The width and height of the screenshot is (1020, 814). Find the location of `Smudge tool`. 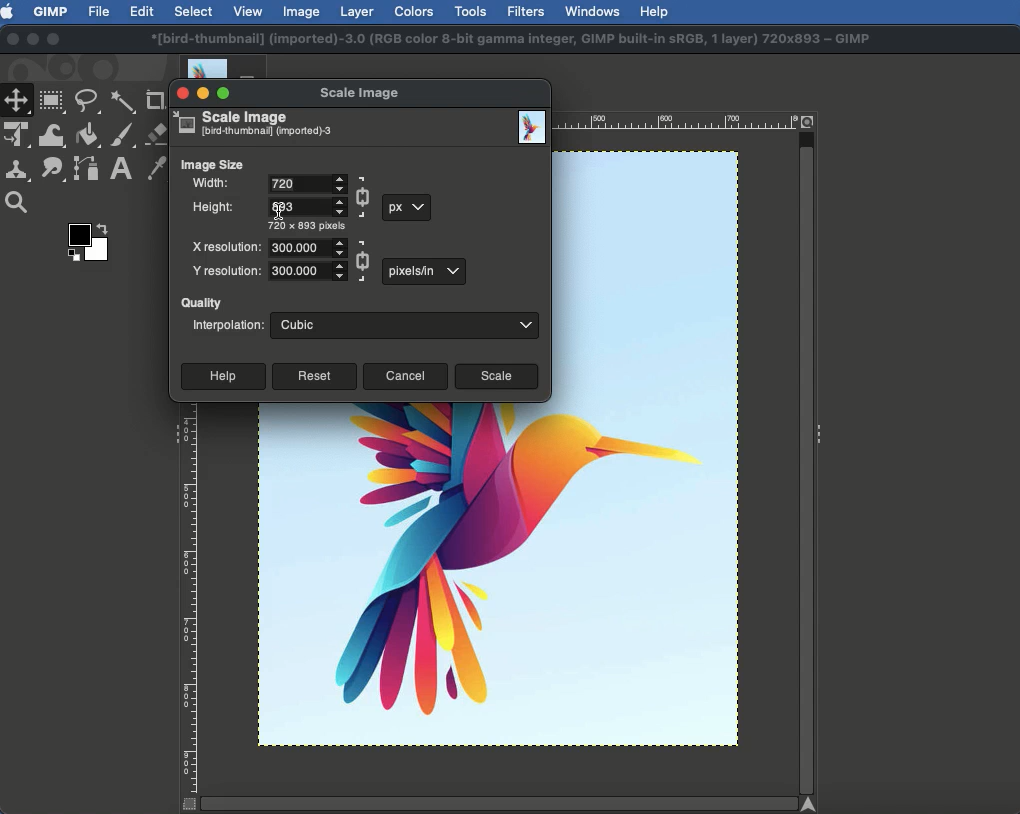

Smudge tool is located at coordinates (54, 171).